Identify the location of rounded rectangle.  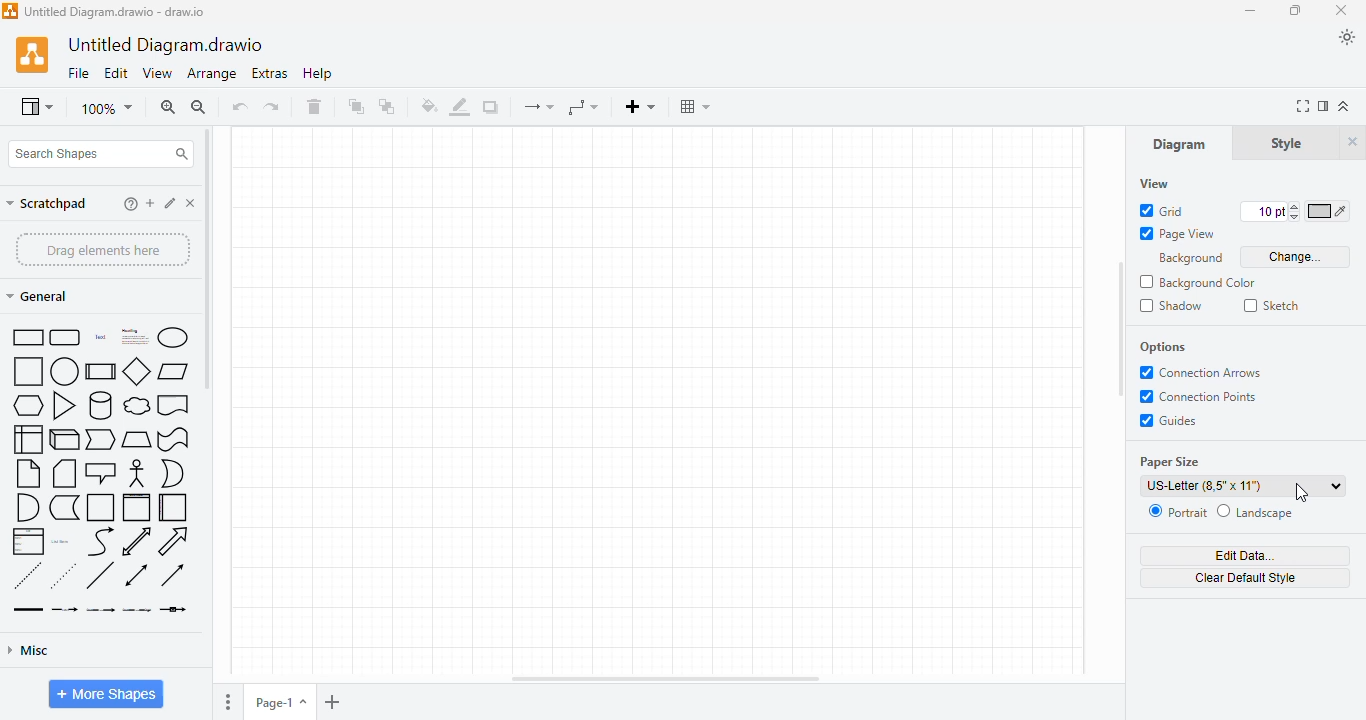
(66, 338).